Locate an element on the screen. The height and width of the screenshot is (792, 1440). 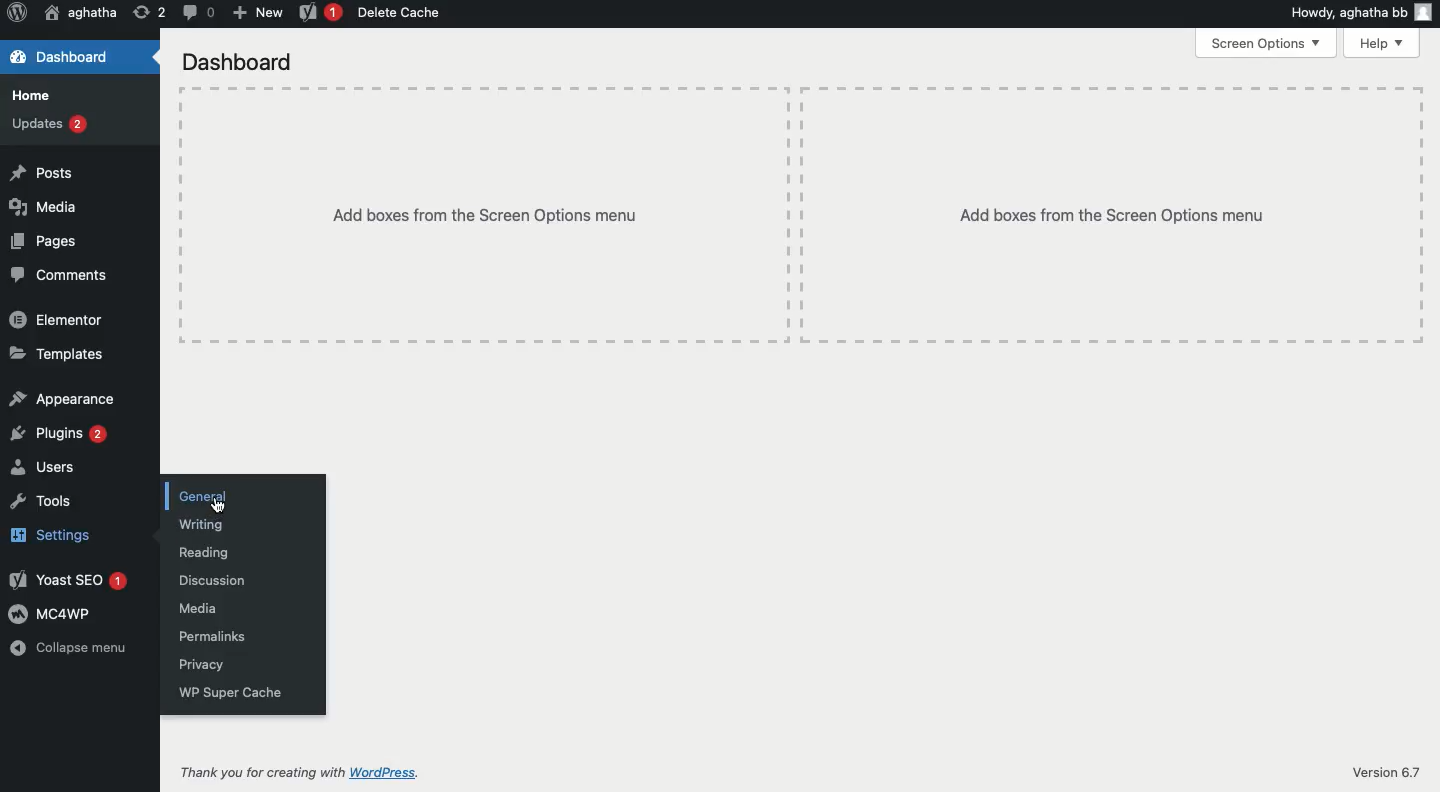
Cursor is located at coordinates (221, 509).